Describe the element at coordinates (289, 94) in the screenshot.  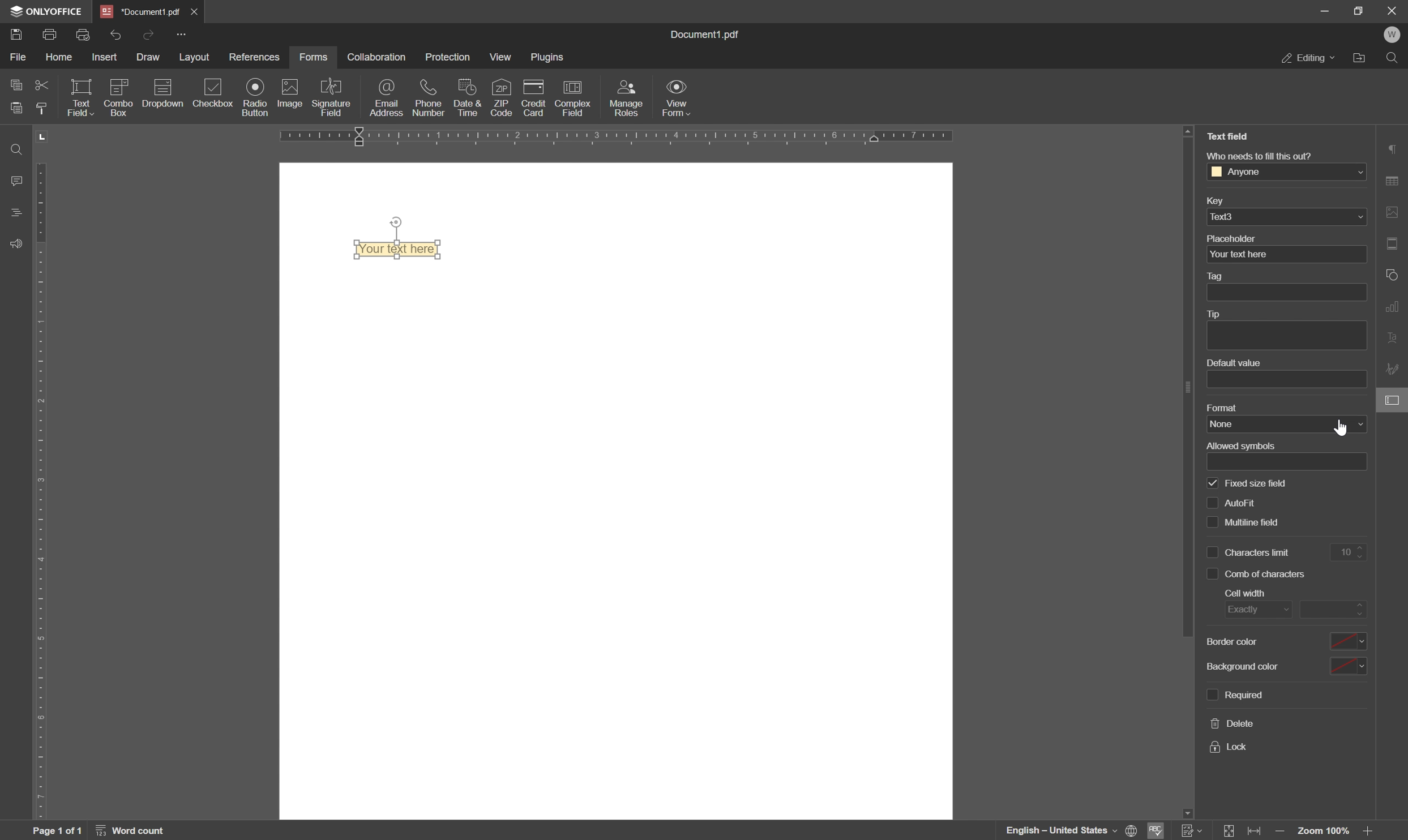
I see `image` at that location.